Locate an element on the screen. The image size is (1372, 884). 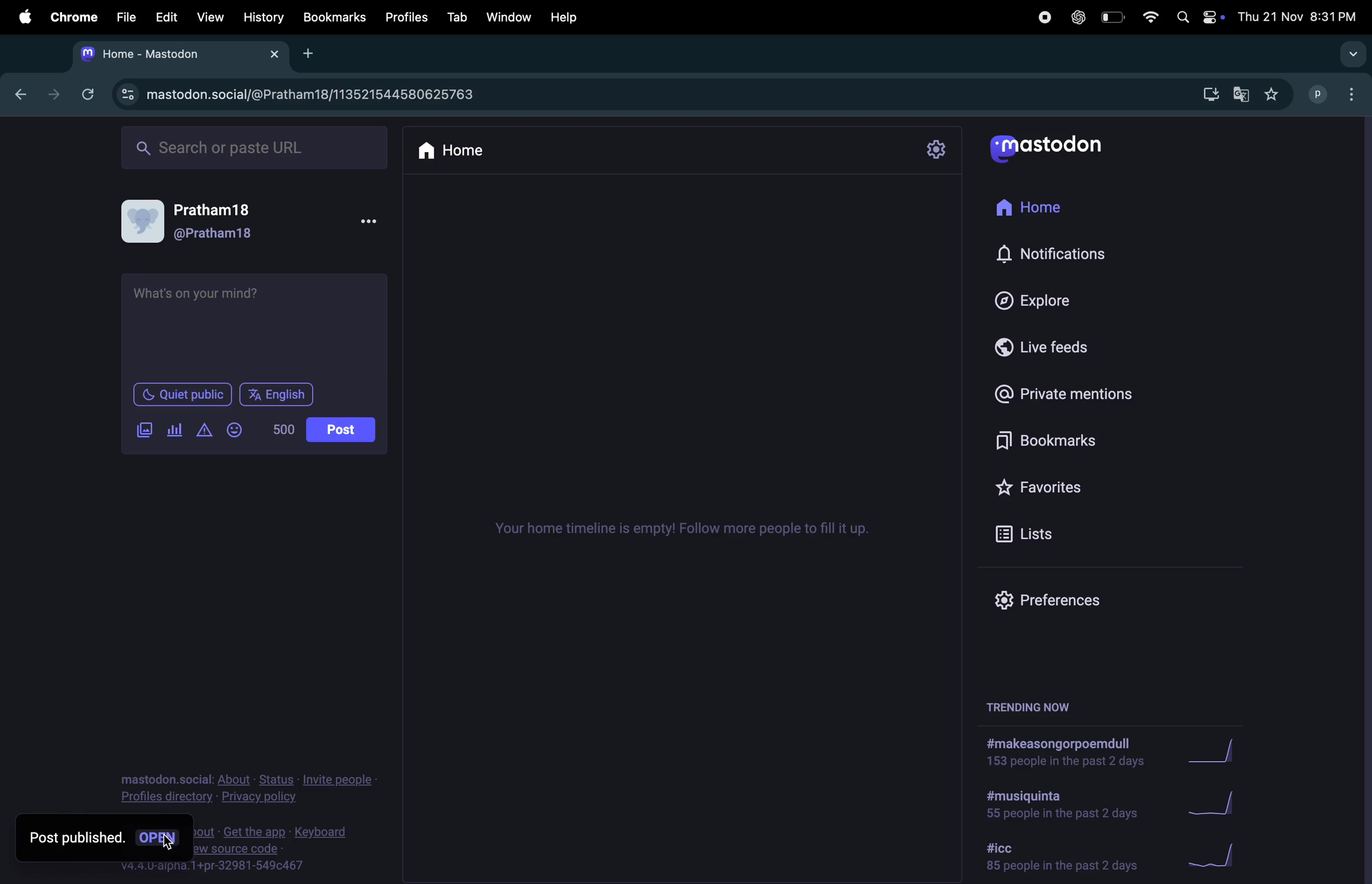
time line is located at coordinates (687, 529).